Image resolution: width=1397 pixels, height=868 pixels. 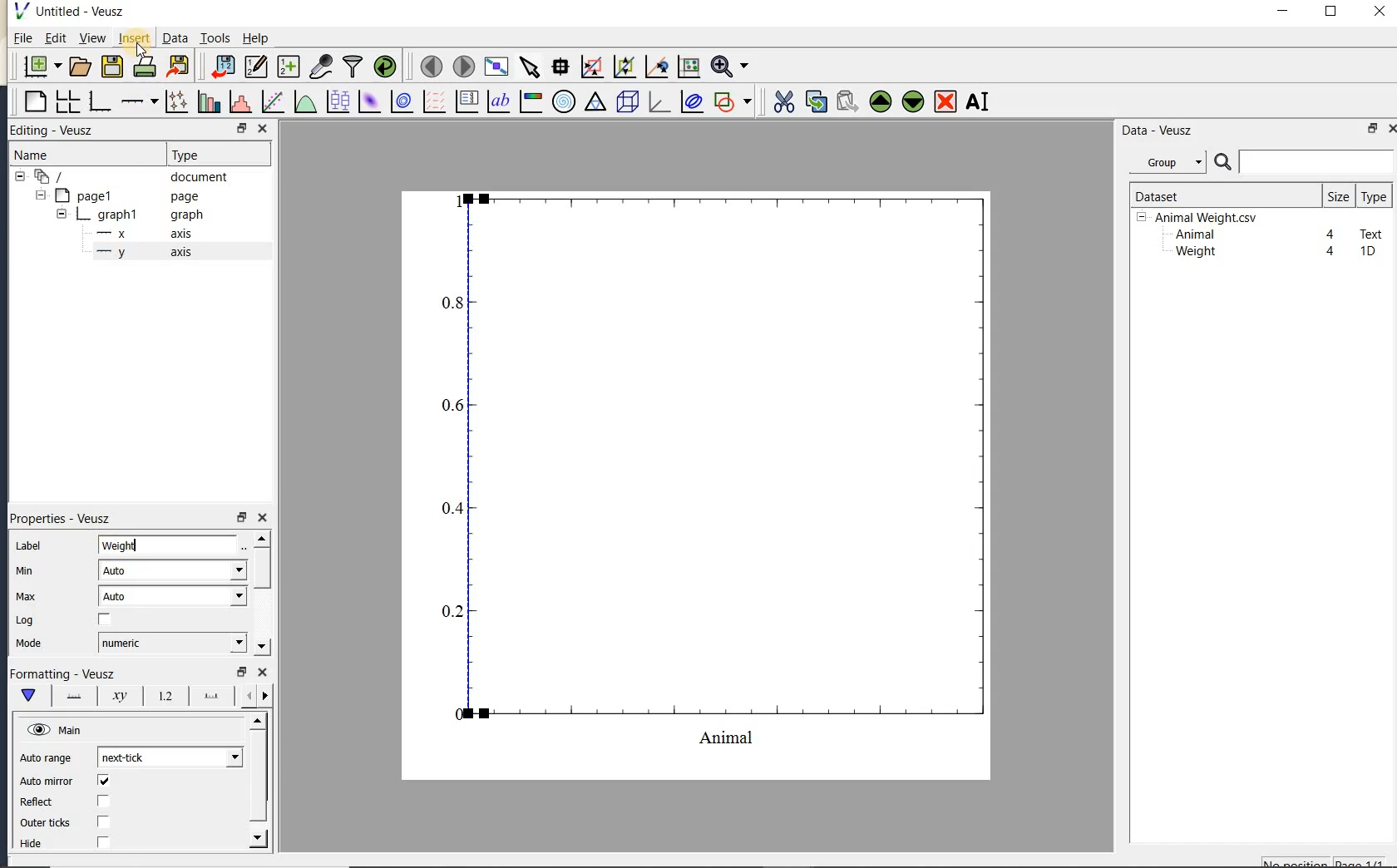 What do you see at coordinates (1374, 128) in the screenshot?
I see `restore` at bounding box center [1374, 128].